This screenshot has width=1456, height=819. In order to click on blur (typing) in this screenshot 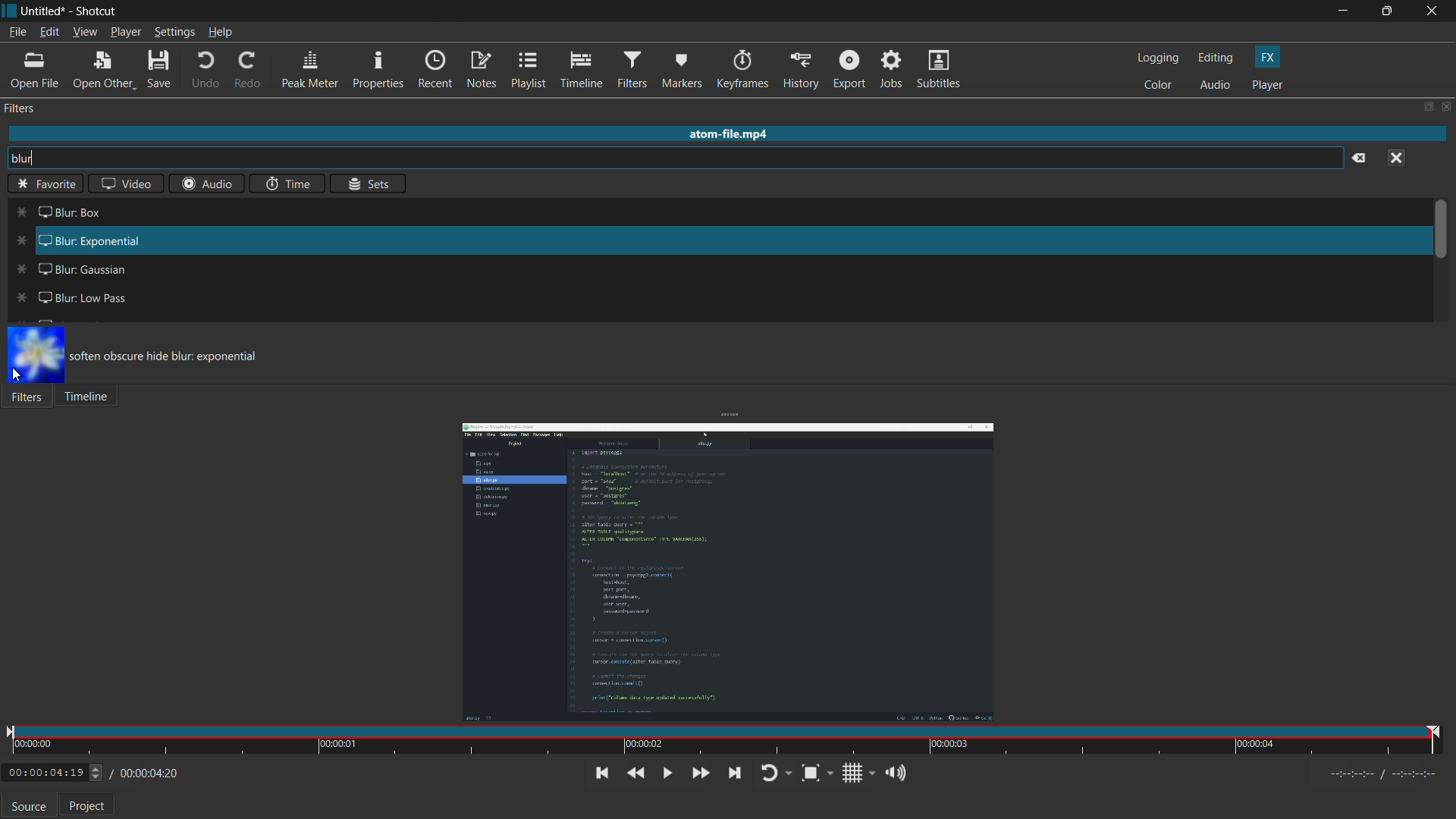, I will do `click(33, 160)`.